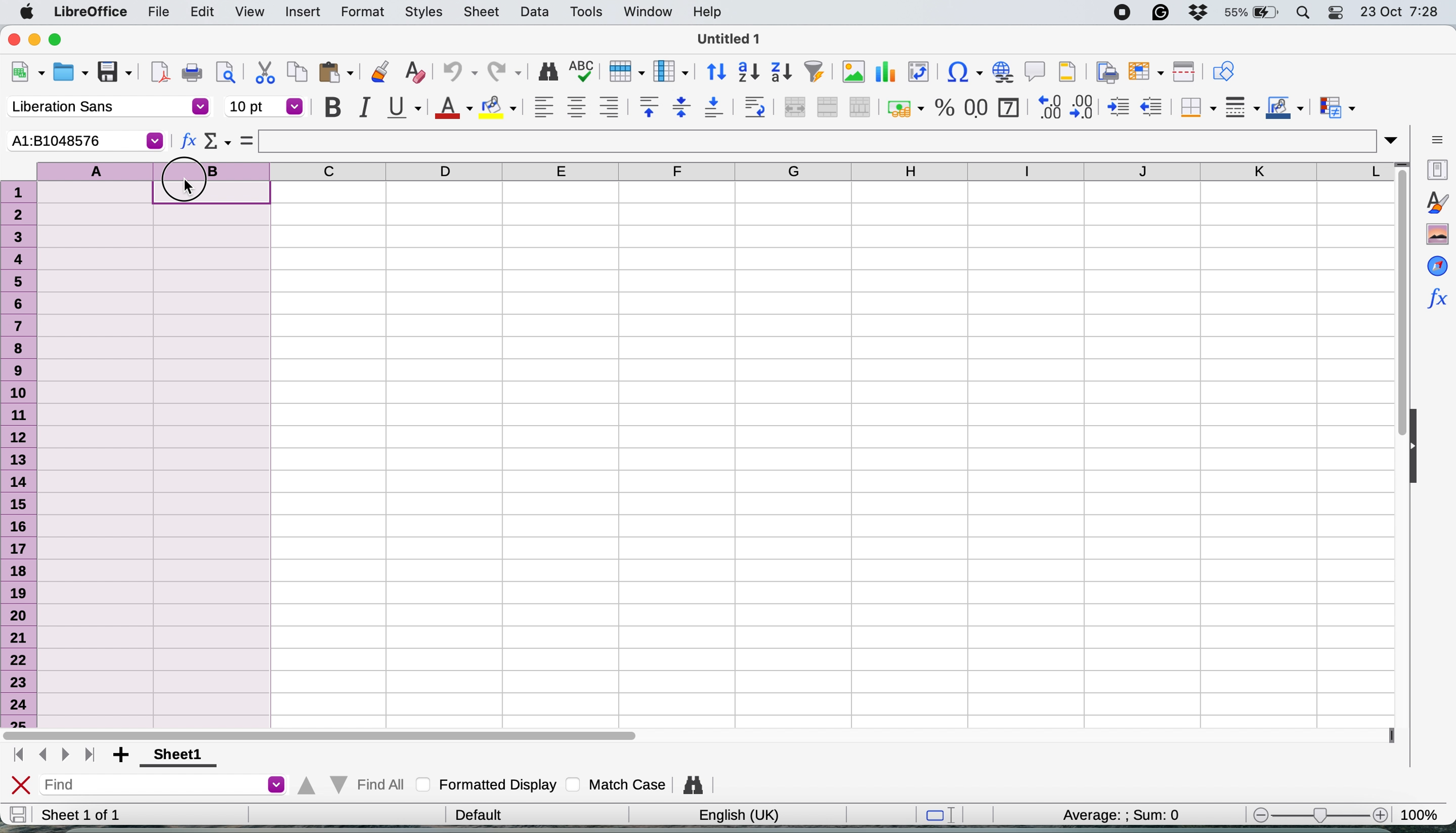 The width and height of the screenshot is (1456, 833). What do you see at coordinates (455, 109) in the screenshot?
I see `text colour` at bounding box center [455, 109].